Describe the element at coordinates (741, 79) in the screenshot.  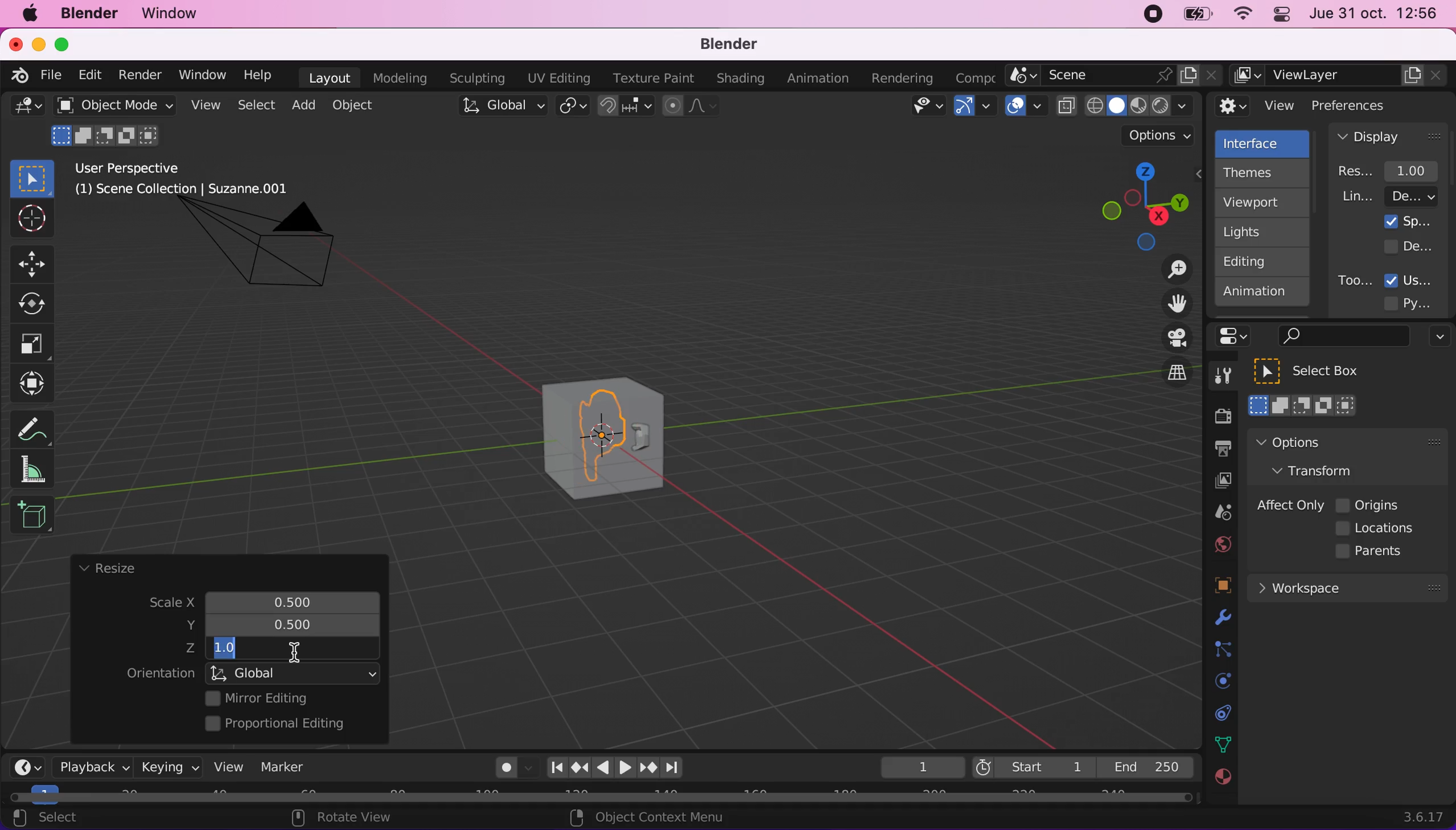
I see `shading` at that location.